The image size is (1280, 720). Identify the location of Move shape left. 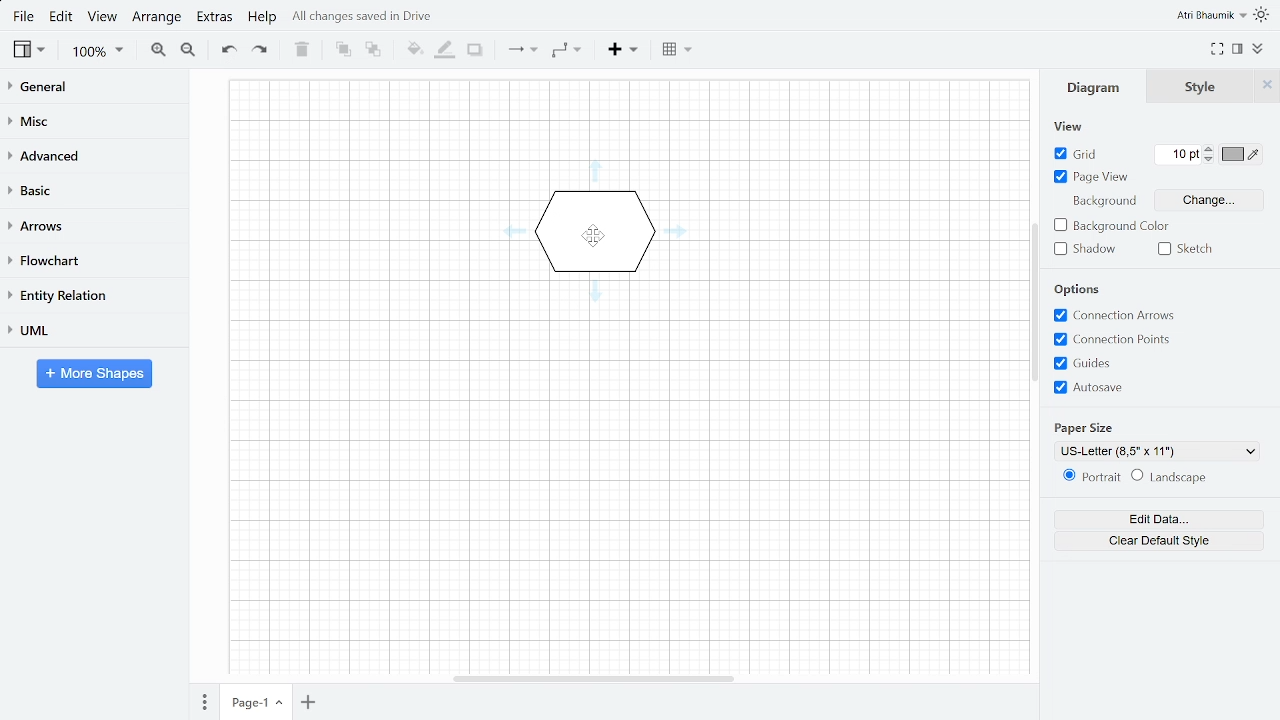
(515, 231).